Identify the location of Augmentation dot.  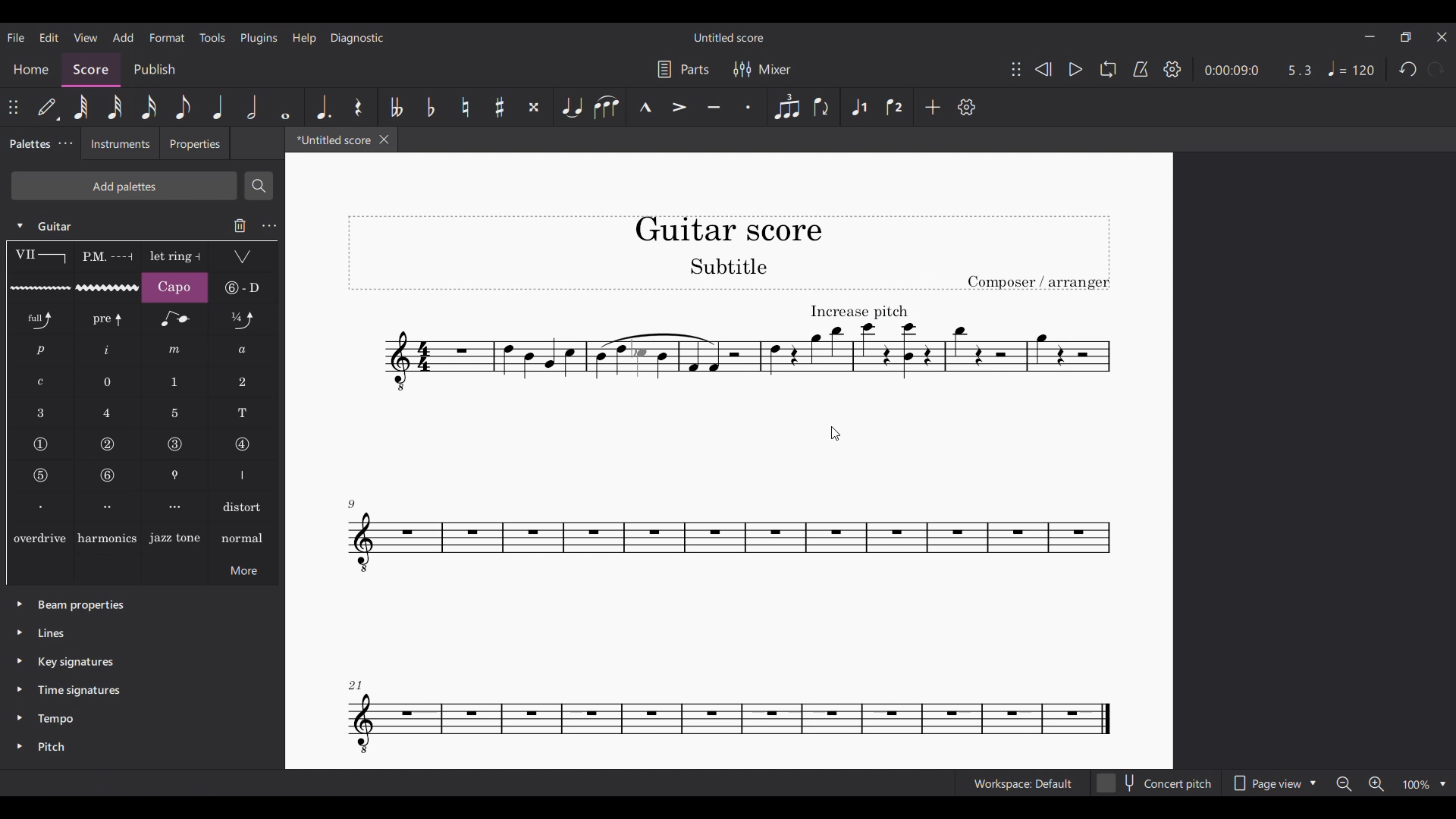
(322, 107).